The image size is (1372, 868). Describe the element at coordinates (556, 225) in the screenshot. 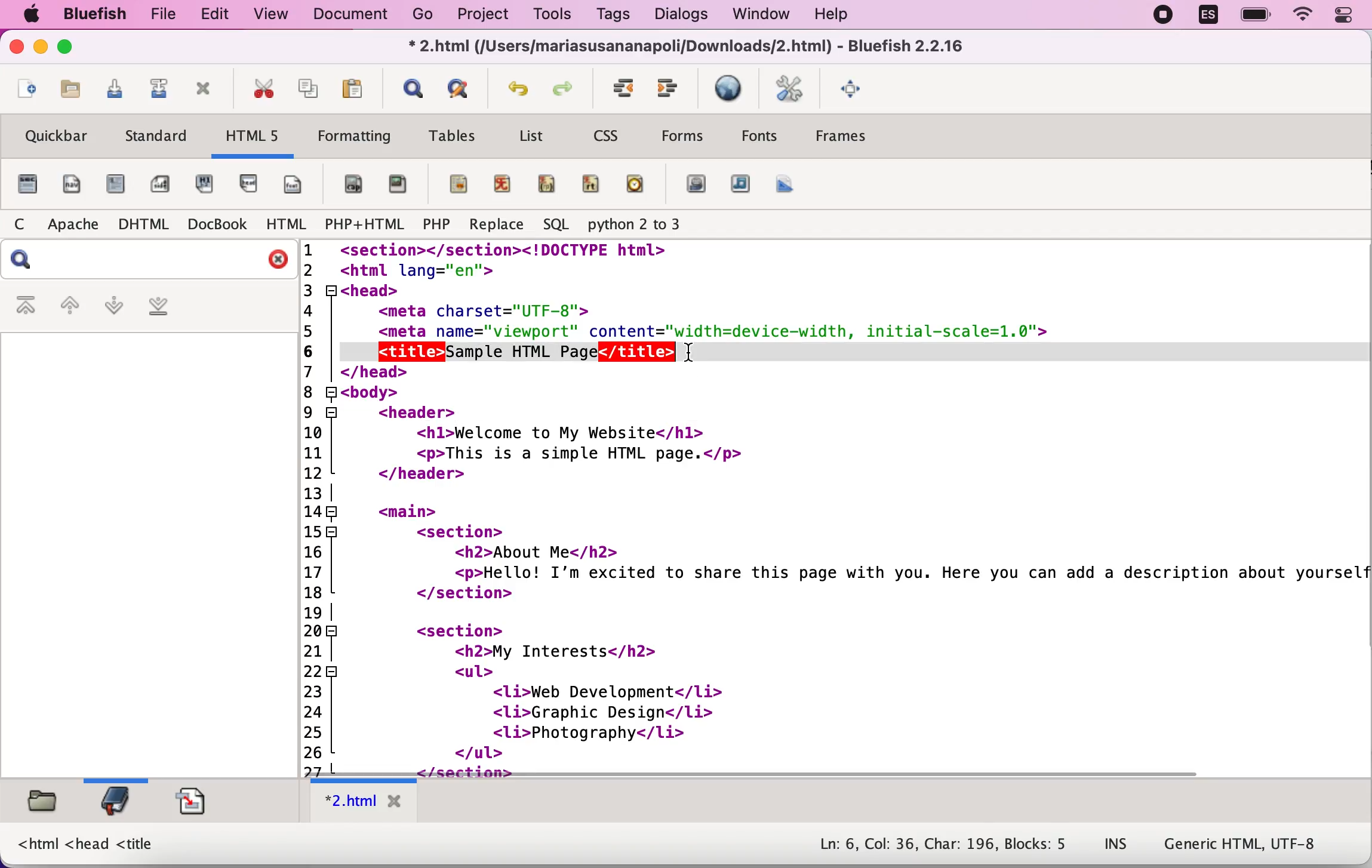

I see `sql` at that location.